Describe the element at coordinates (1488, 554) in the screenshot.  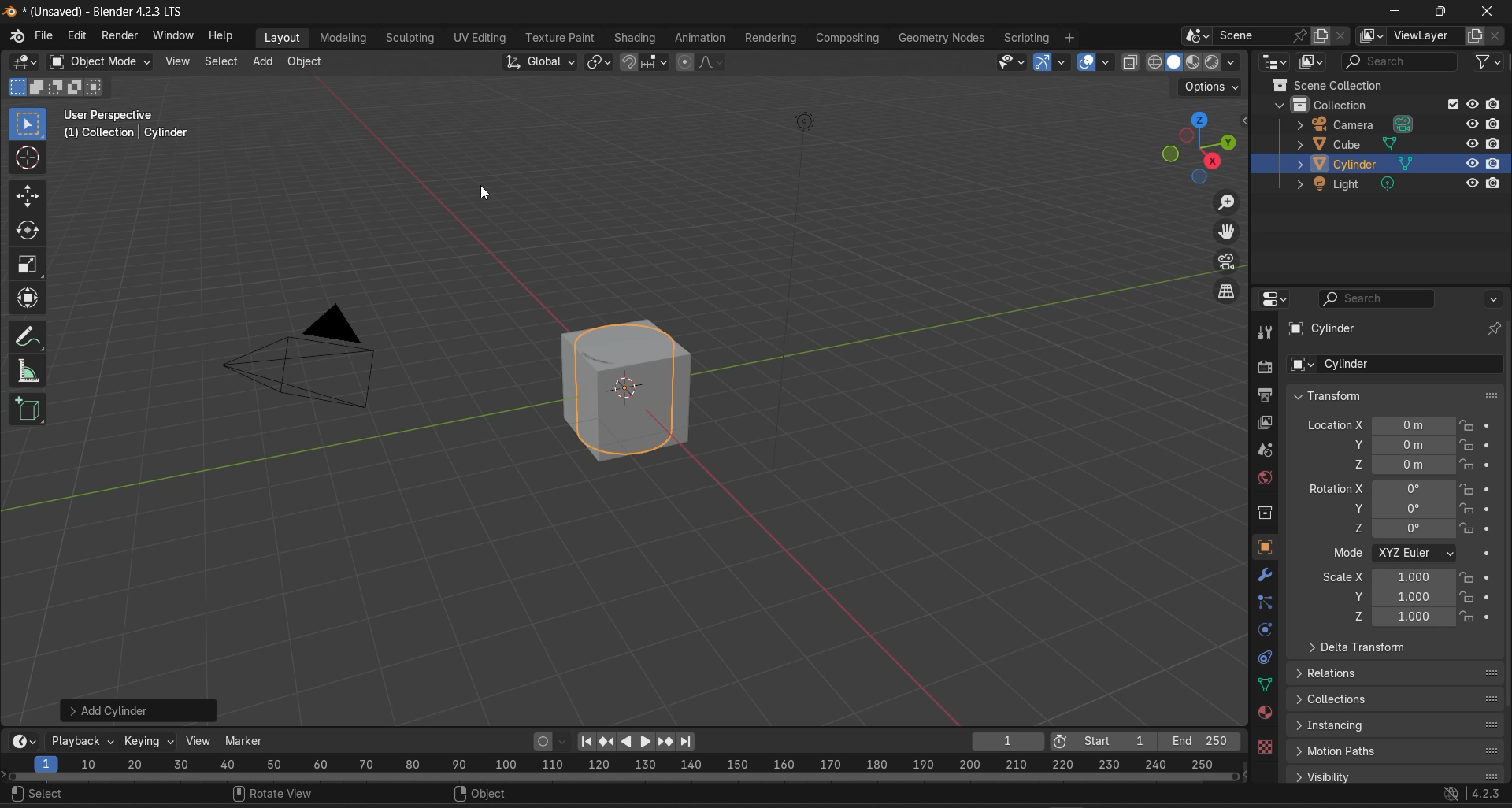
I see `animate property` at that location.